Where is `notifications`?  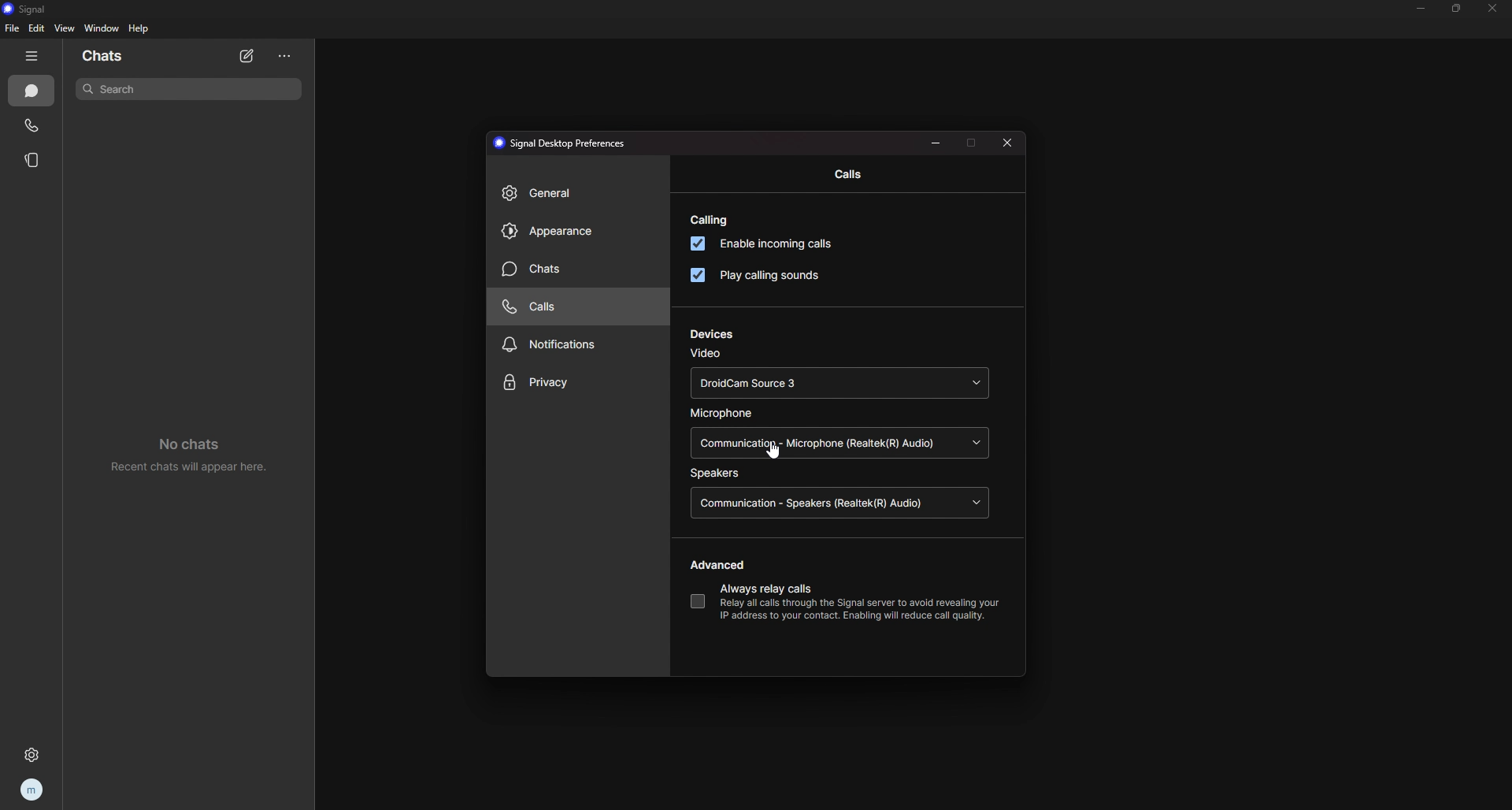
notifications is located at coordinates (570, 345).